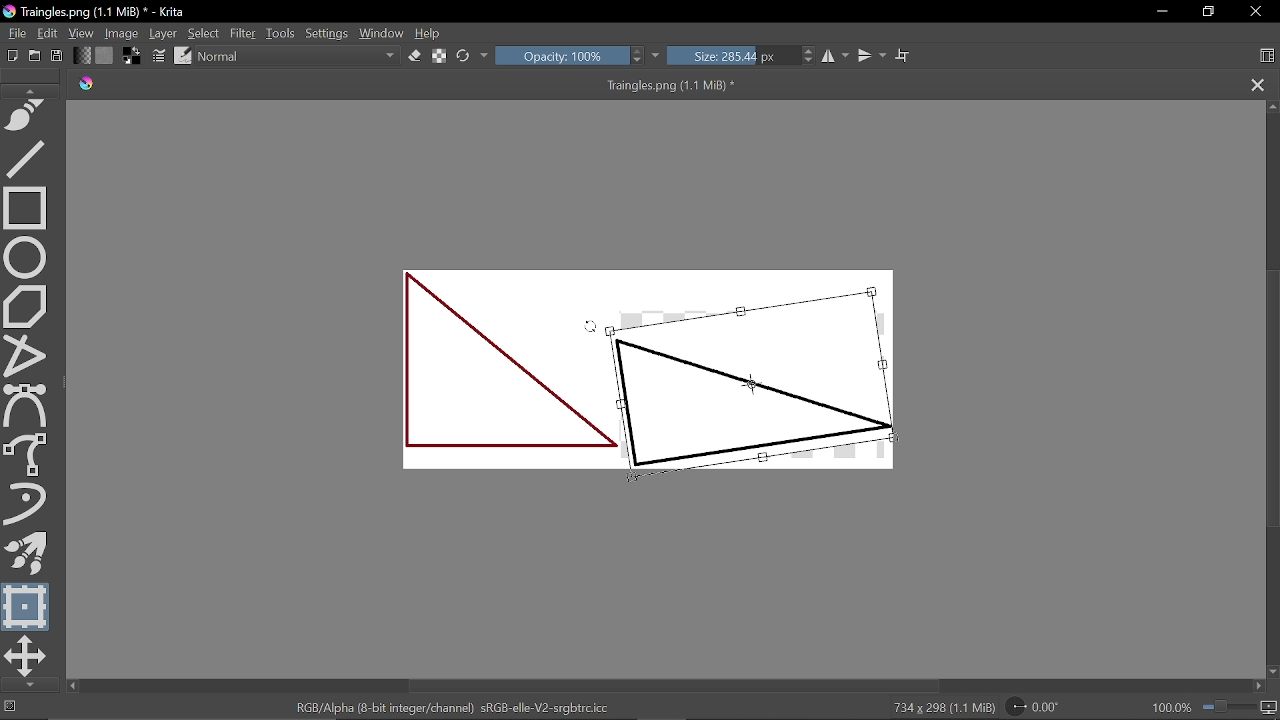  What do you see at coordinates (29, 353) in the screenshot?
I see `Polyline tool` at bounding box center [29, 353].